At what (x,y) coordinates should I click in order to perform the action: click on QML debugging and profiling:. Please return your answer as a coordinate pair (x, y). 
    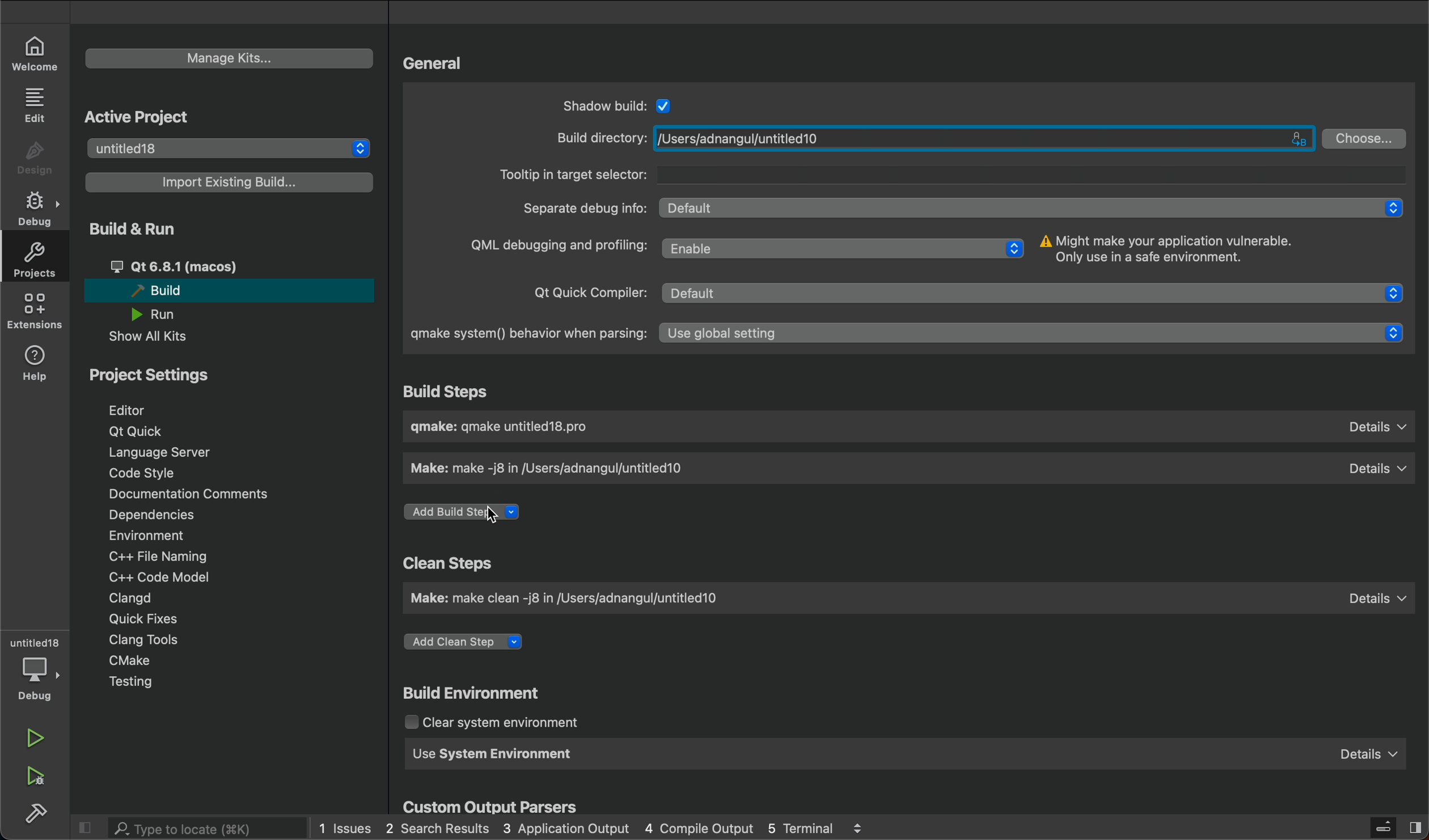
    Looking at the image, I should click on (556, 245).